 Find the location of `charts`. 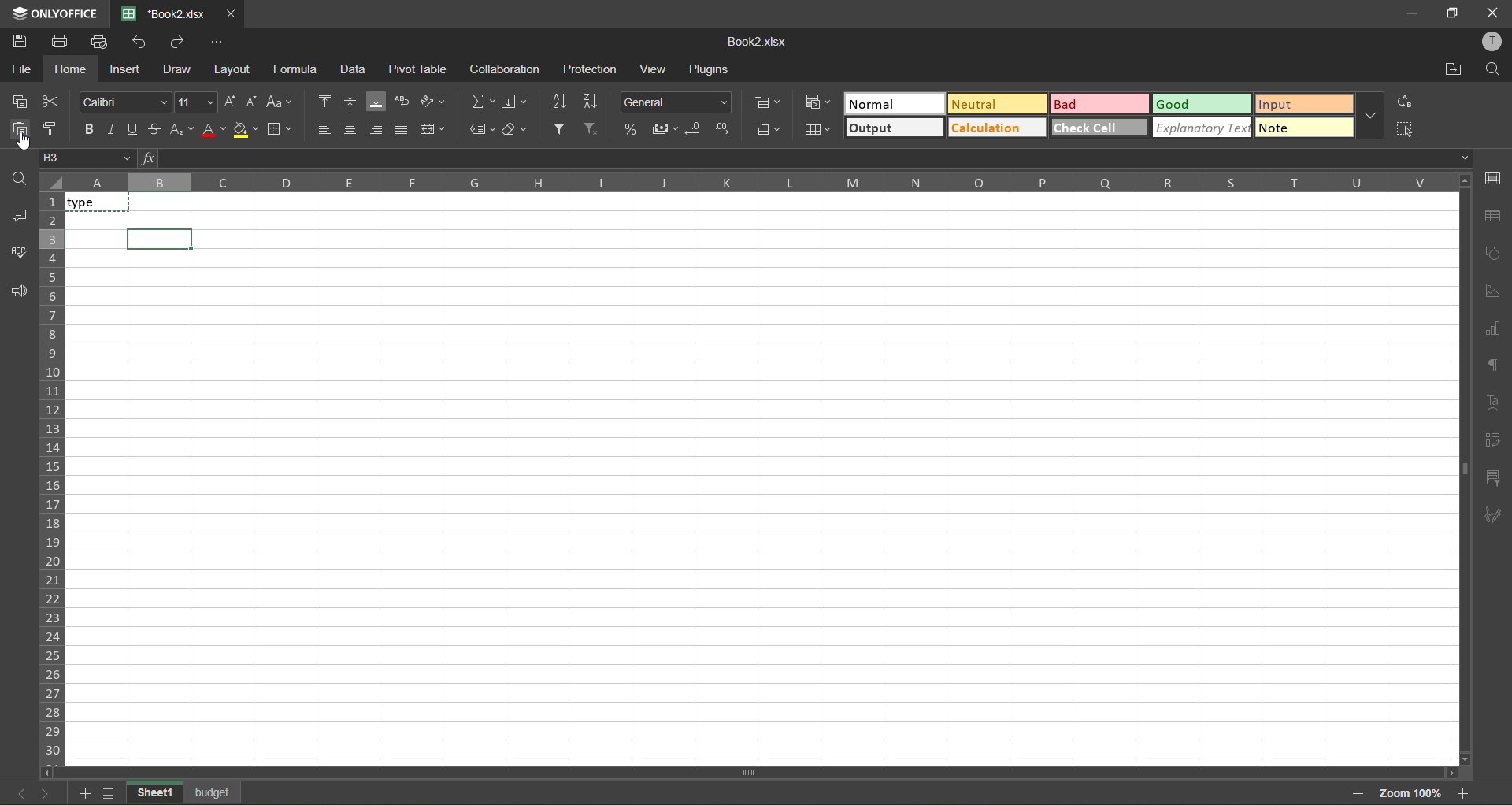

charts is located at coordinates (1494, 327).